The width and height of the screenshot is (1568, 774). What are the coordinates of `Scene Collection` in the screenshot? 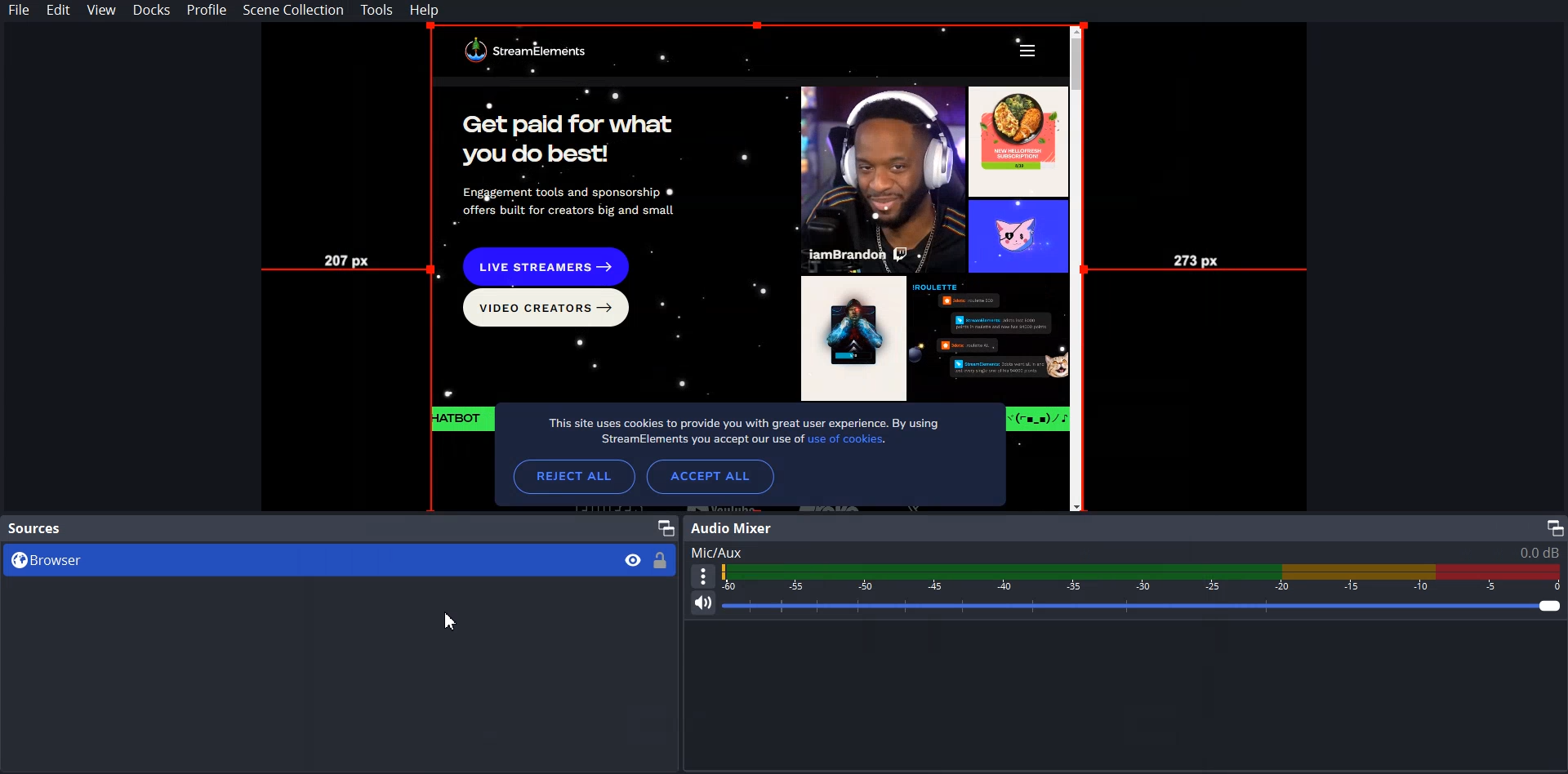 It's located at (294, 11).